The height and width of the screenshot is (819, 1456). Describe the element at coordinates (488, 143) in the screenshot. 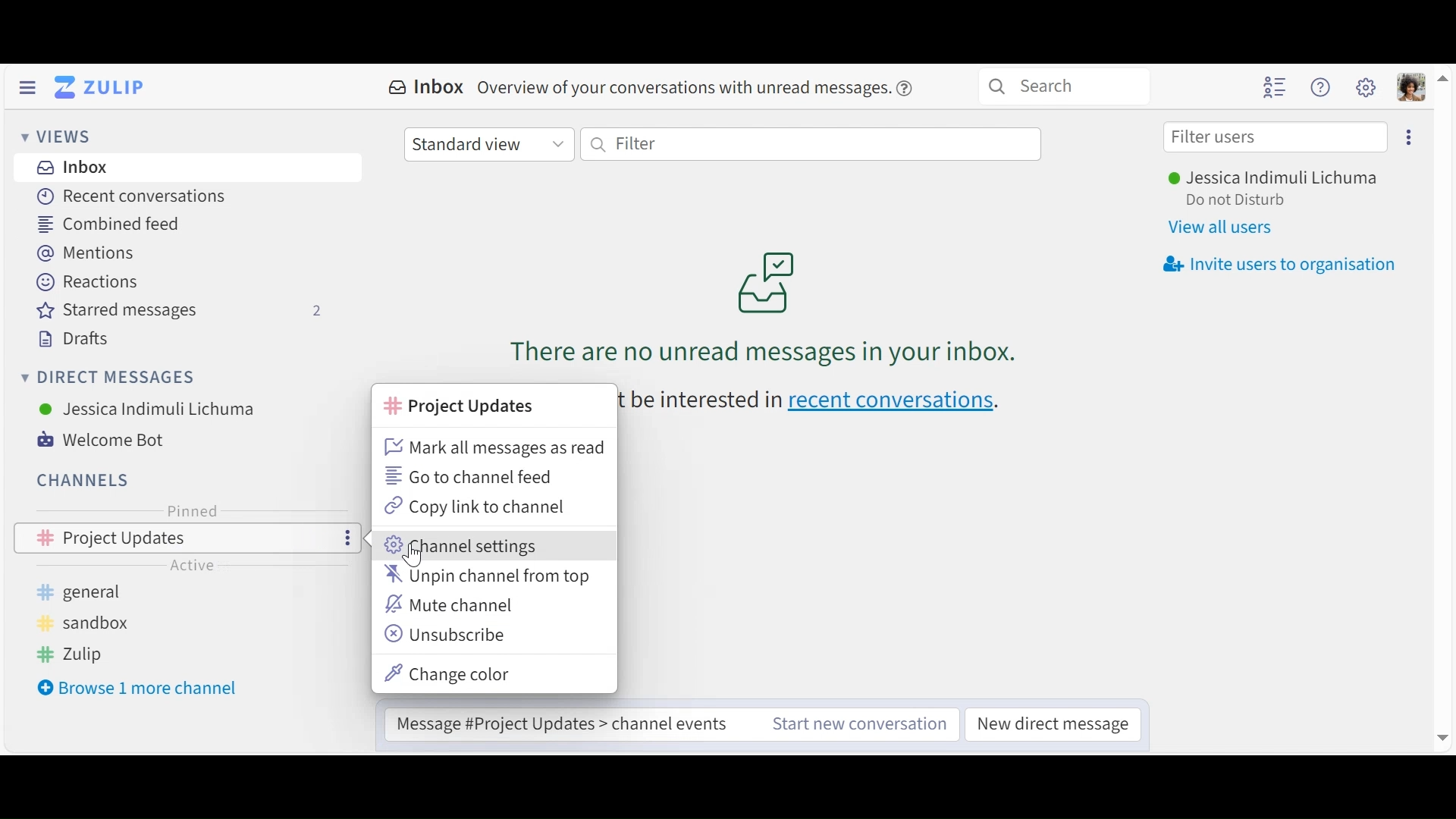

I see `Standard view` at that location.